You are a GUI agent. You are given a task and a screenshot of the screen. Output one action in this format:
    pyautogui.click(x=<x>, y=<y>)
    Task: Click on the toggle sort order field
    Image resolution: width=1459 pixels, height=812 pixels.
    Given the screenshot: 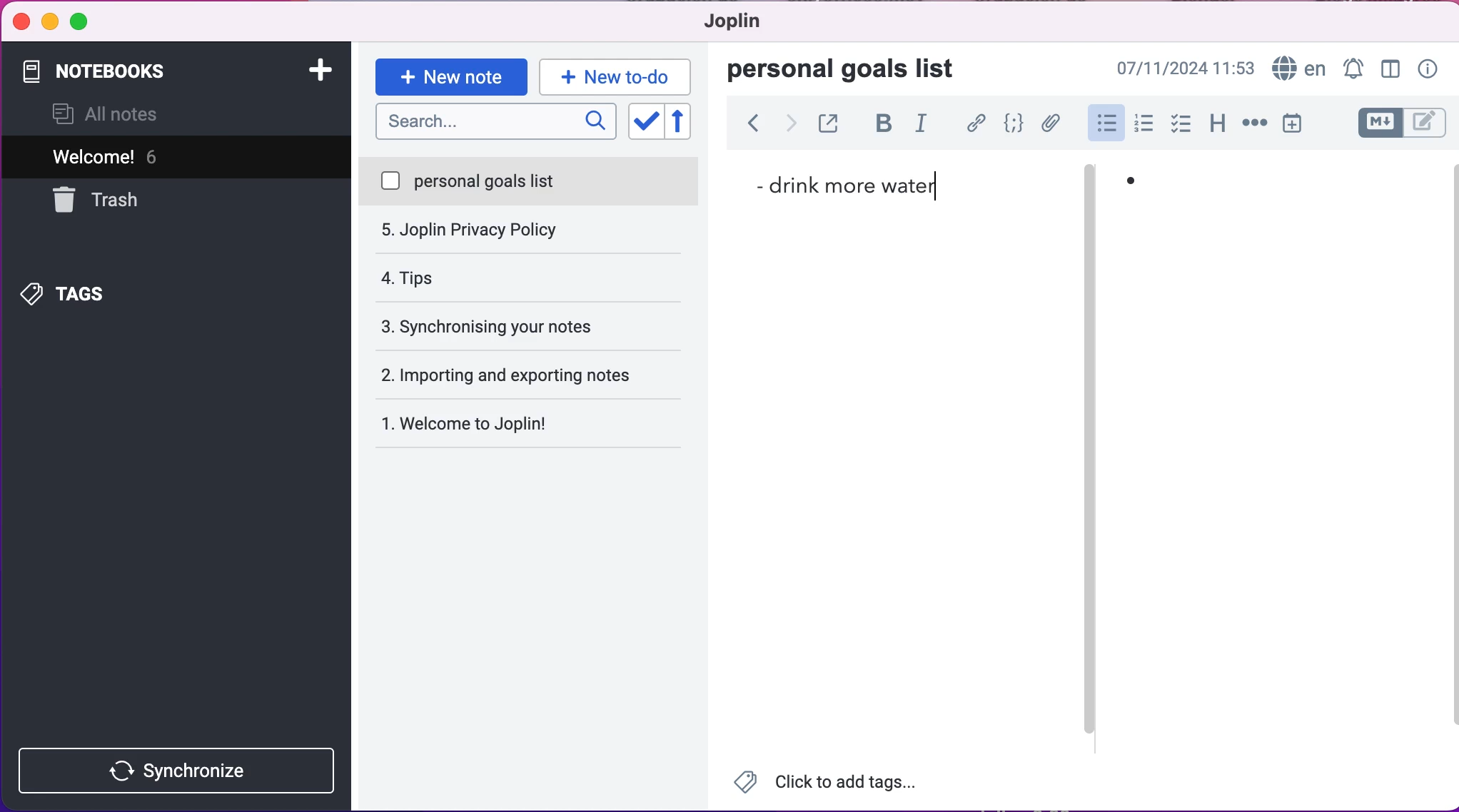 What is the action you would take?
    pyautogui.click(x=644, y=122)
    